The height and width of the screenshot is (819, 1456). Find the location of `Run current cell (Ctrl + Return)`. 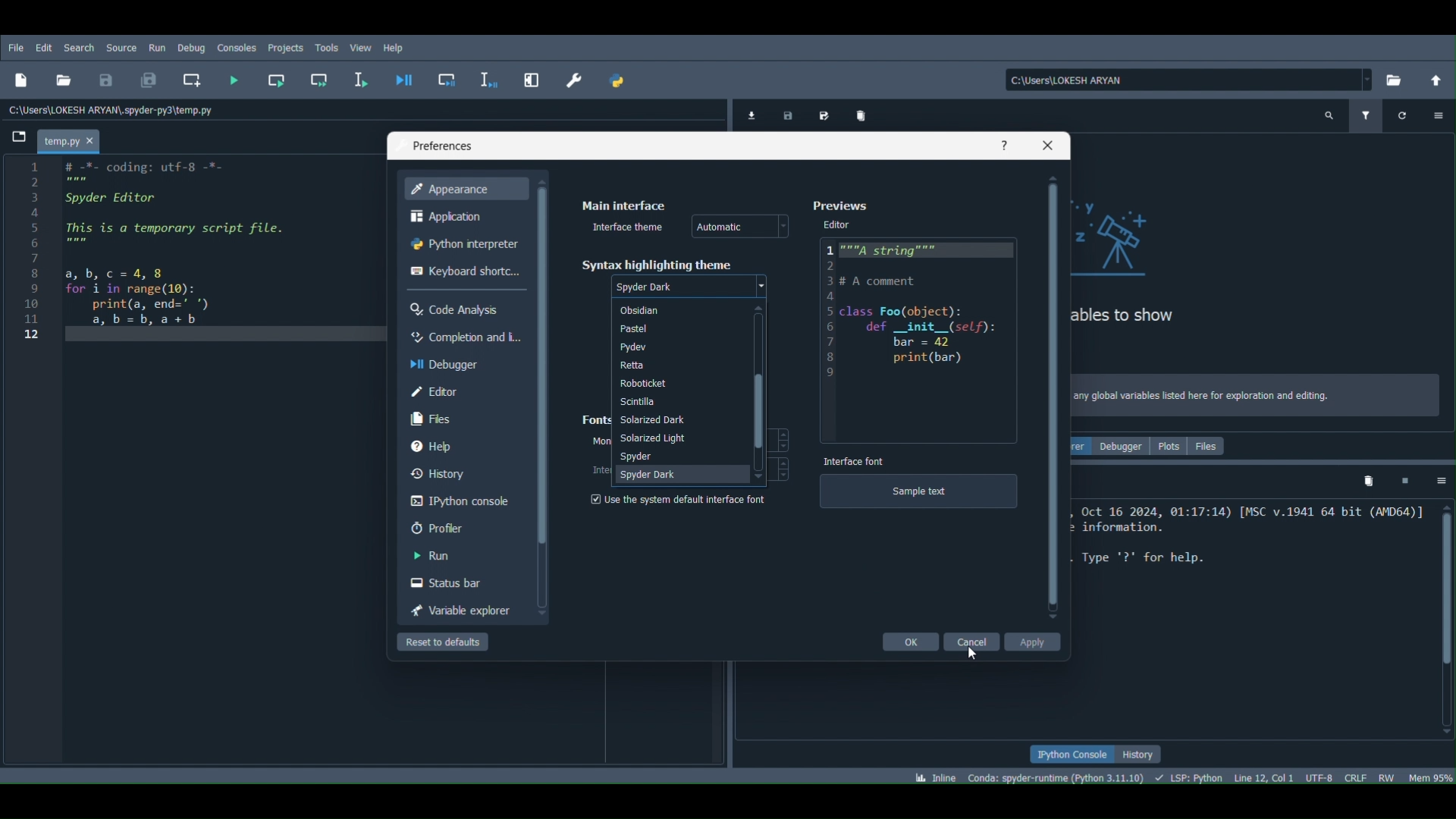

Run current cell (Ctrl + Return) is located at coordinates (271, 80).